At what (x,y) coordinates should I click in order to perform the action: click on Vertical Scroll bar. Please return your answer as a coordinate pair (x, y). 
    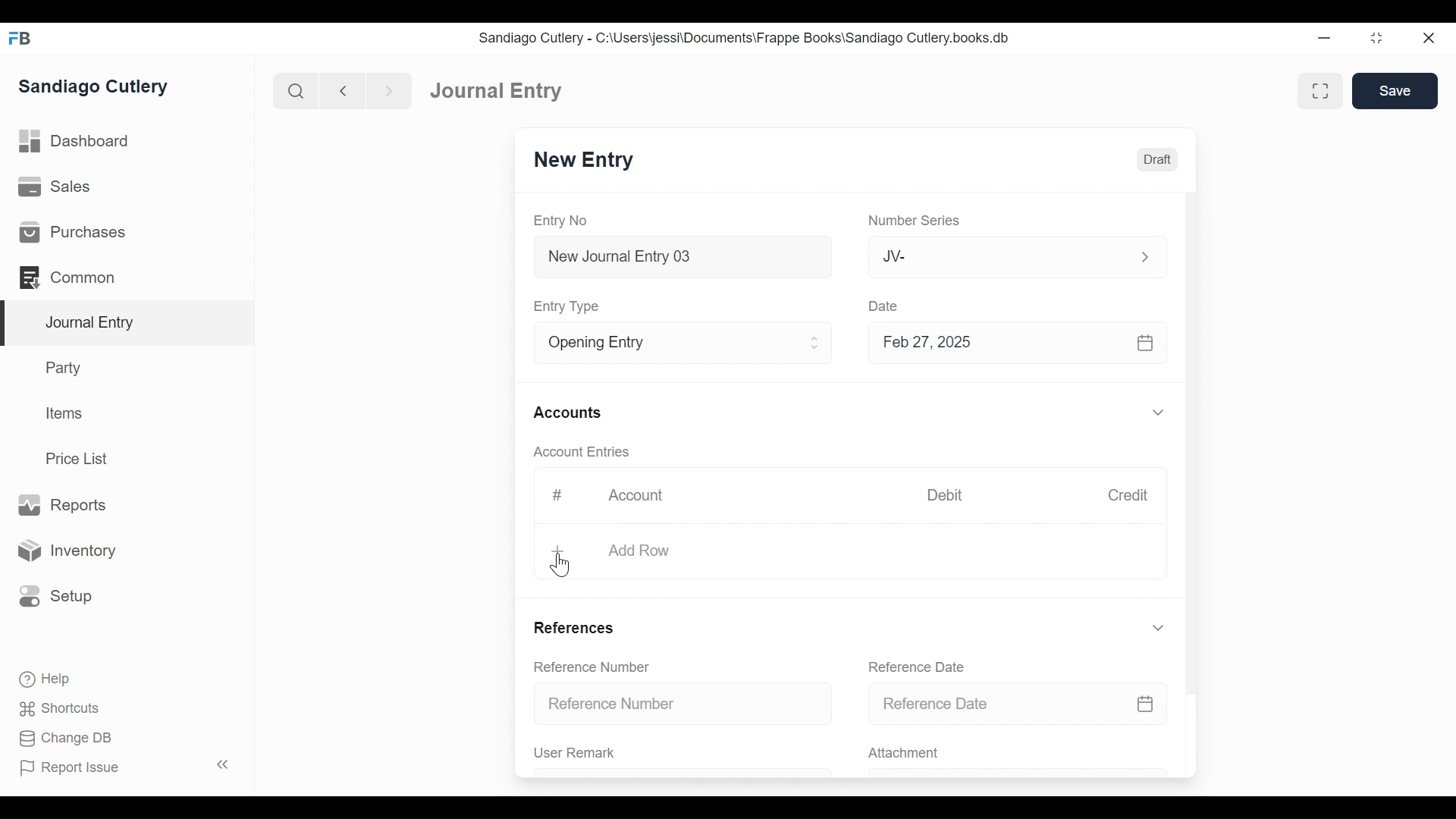
    Looking at the image, I should click on (1193, 439).